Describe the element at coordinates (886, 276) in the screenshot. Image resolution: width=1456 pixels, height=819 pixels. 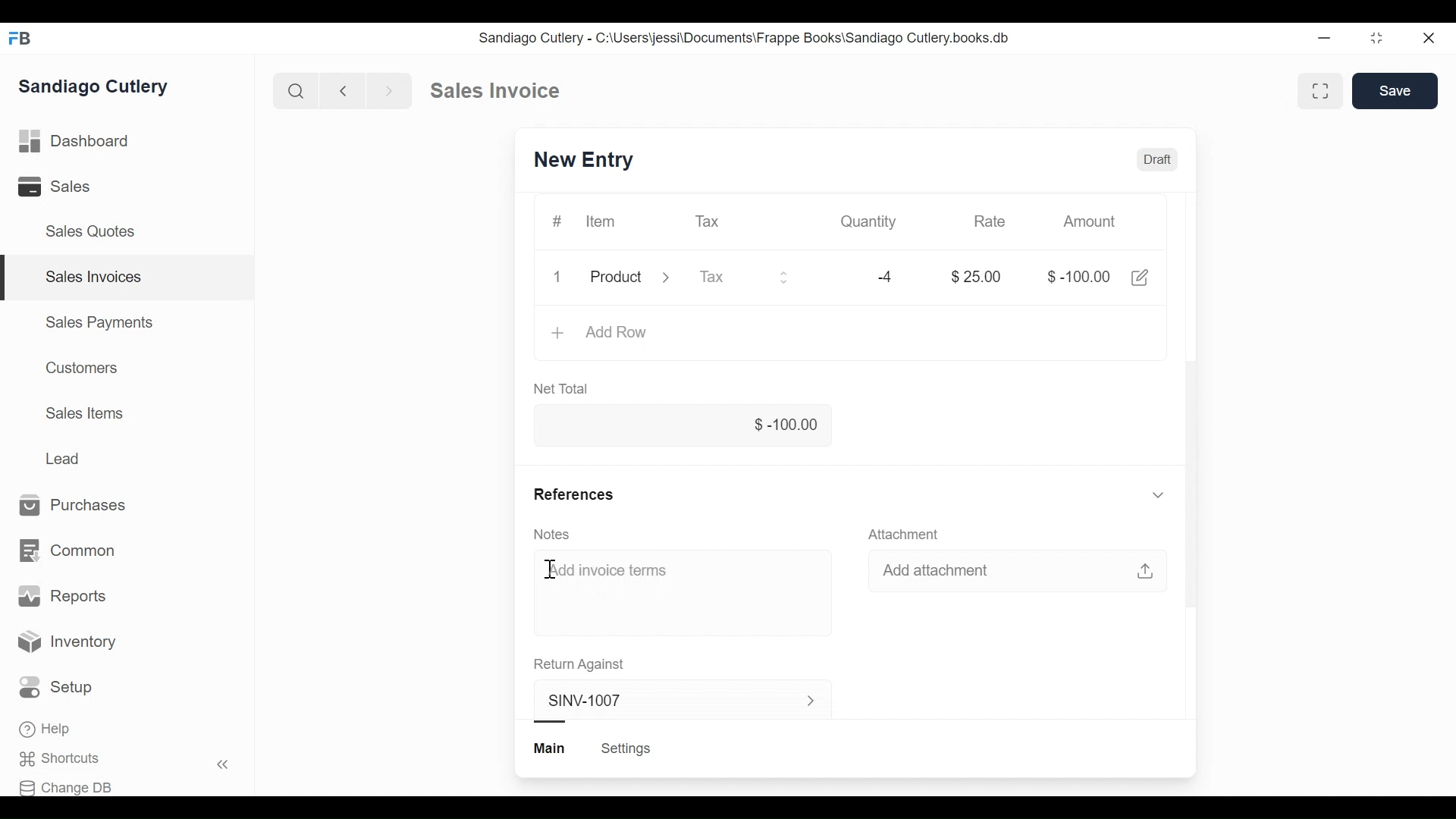
I see `-4` at that location.